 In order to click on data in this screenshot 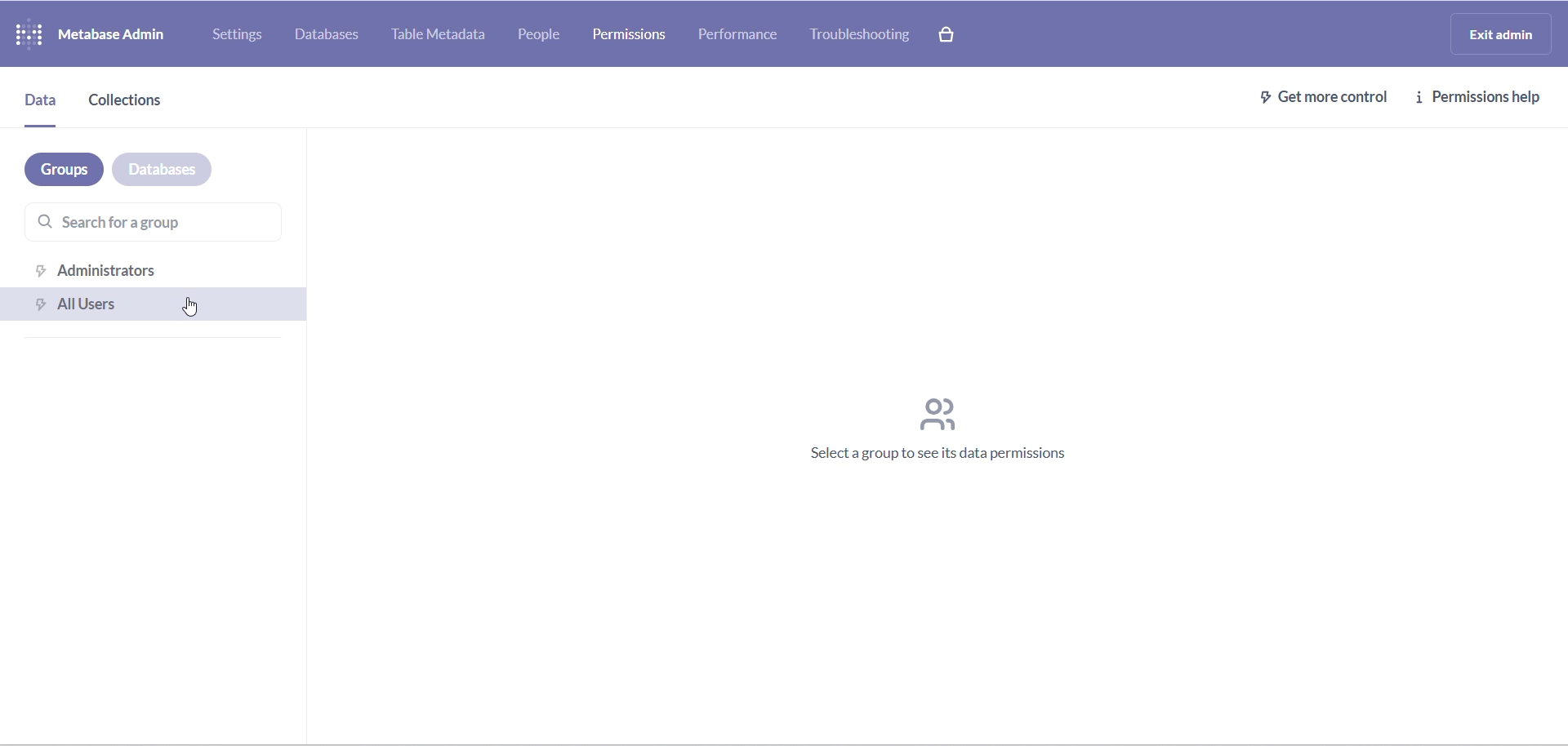, I will do `click(40, 106)`.